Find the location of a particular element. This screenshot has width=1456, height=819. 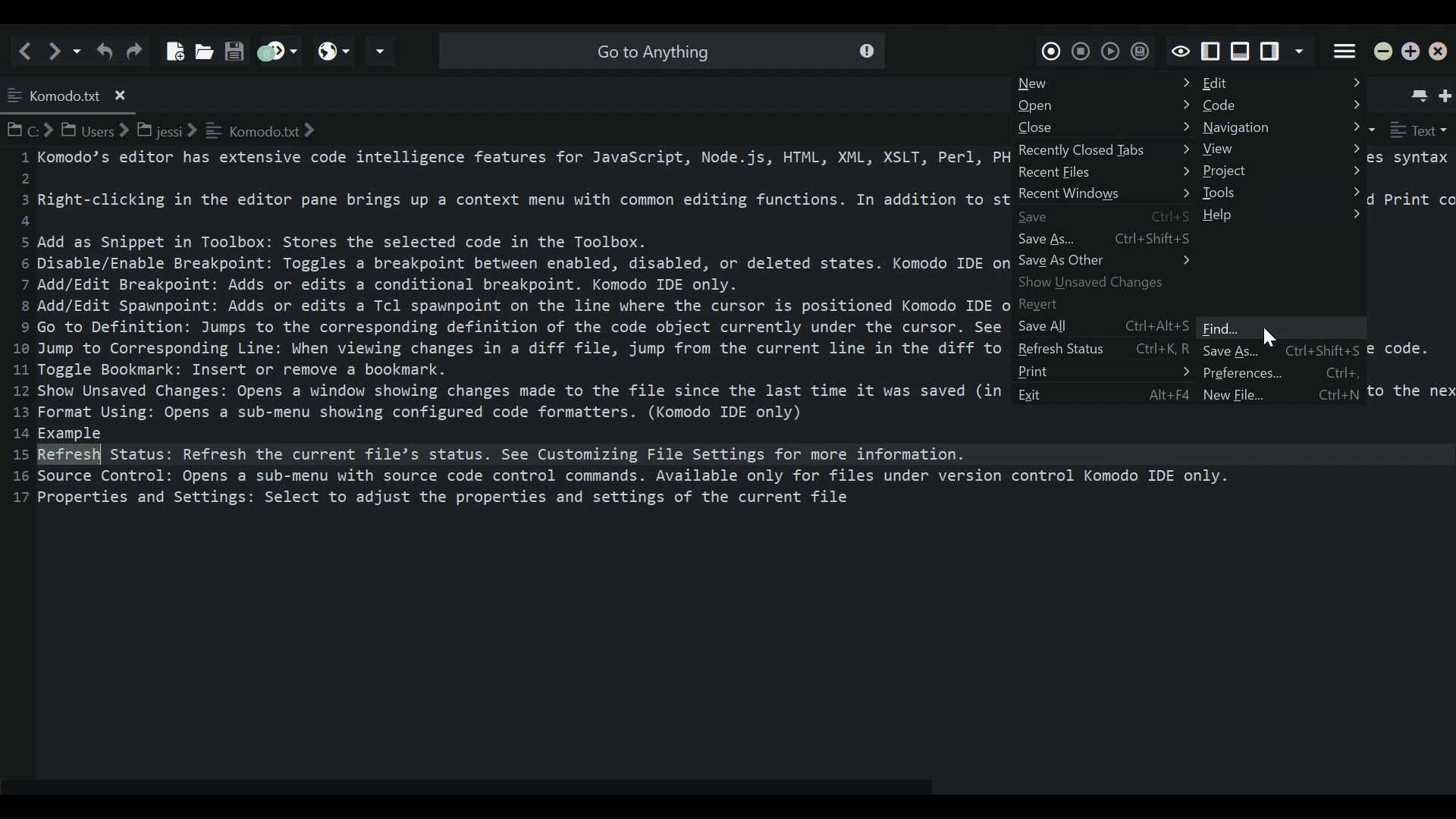

Record Macro is located at coordinates (1052, 49).